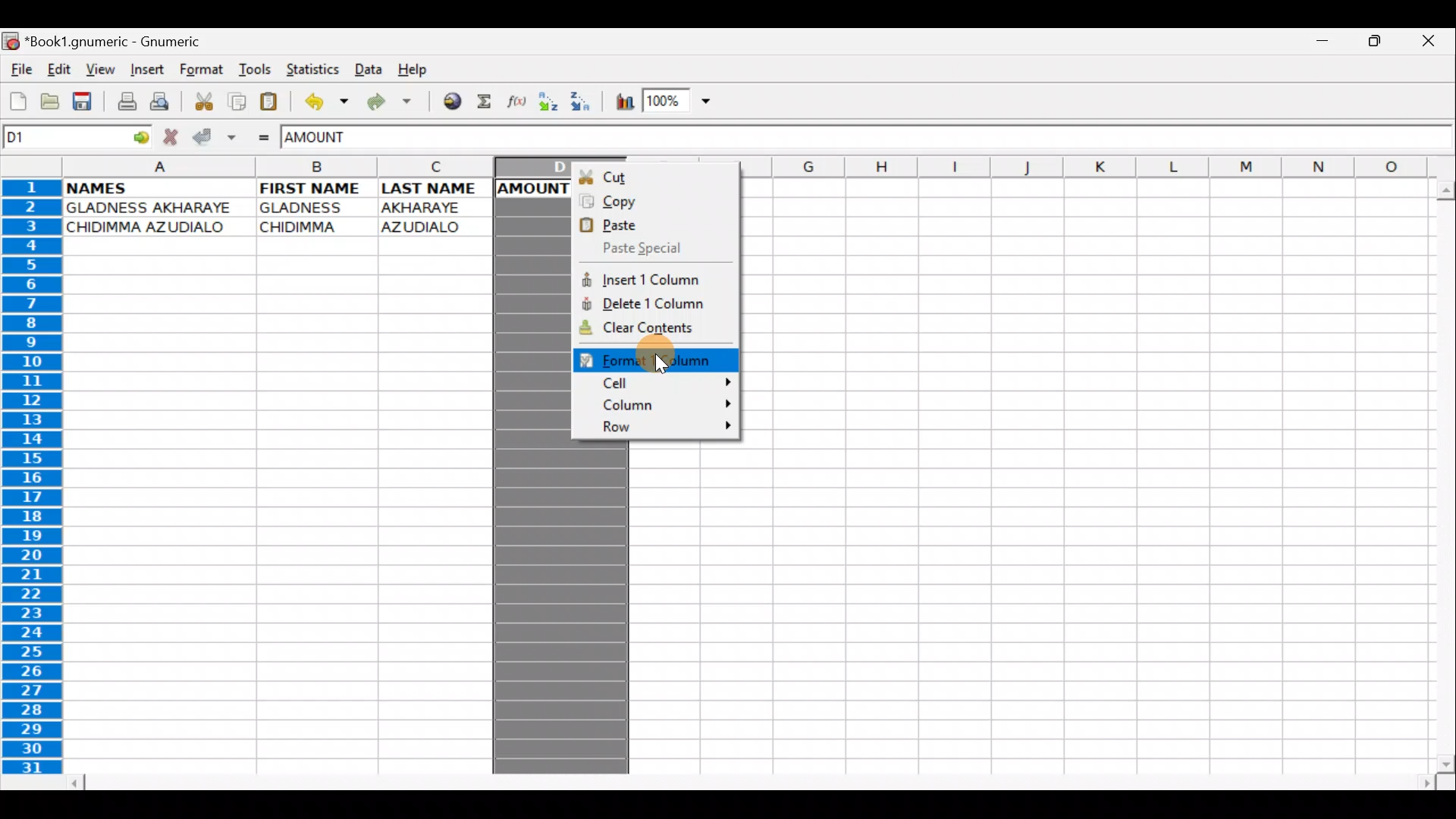  Describe the element at coordinates (651, 224) in the screenshot. I see `Paste` at that location.